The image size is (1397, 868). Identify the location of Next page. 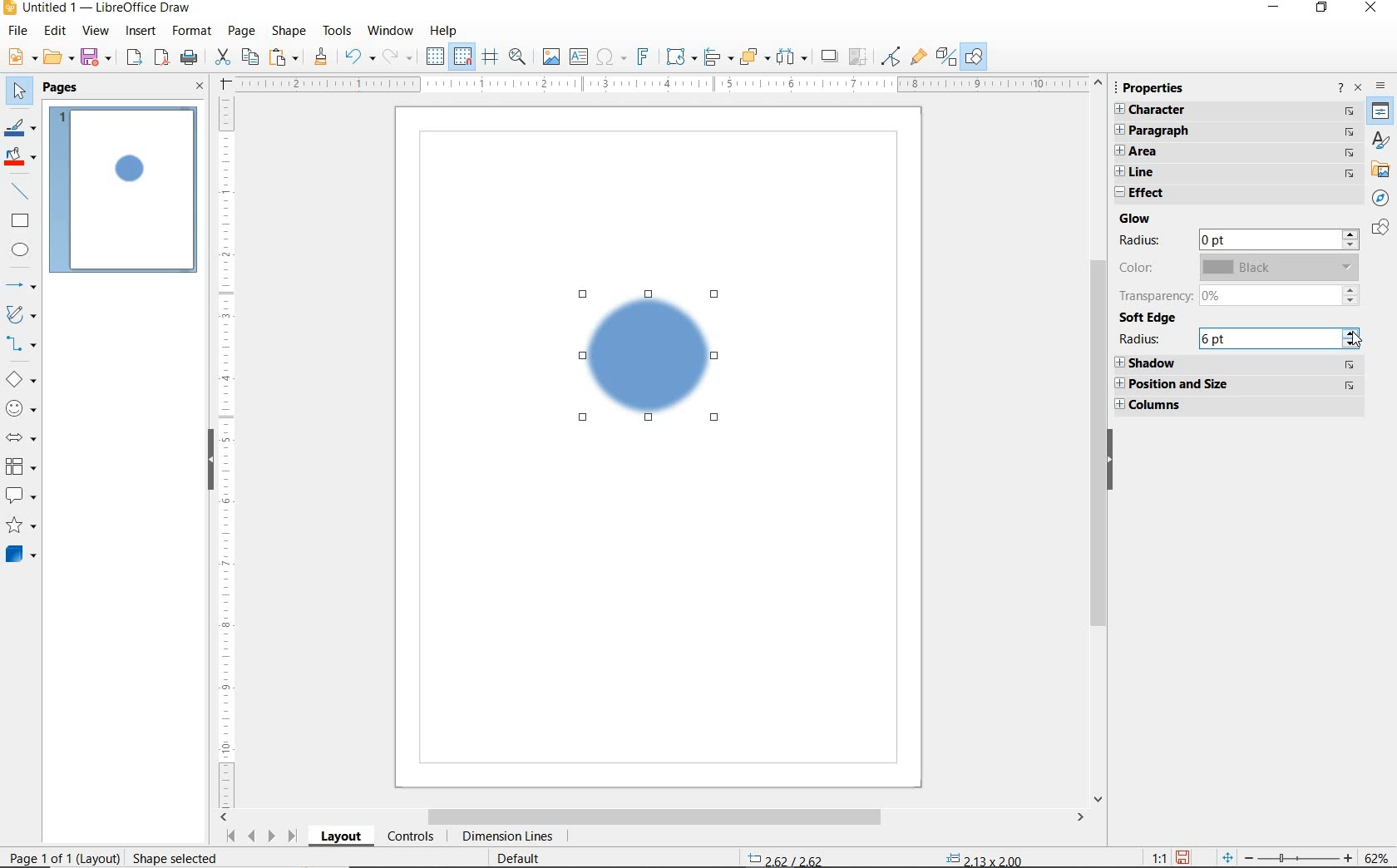
(272, 836).